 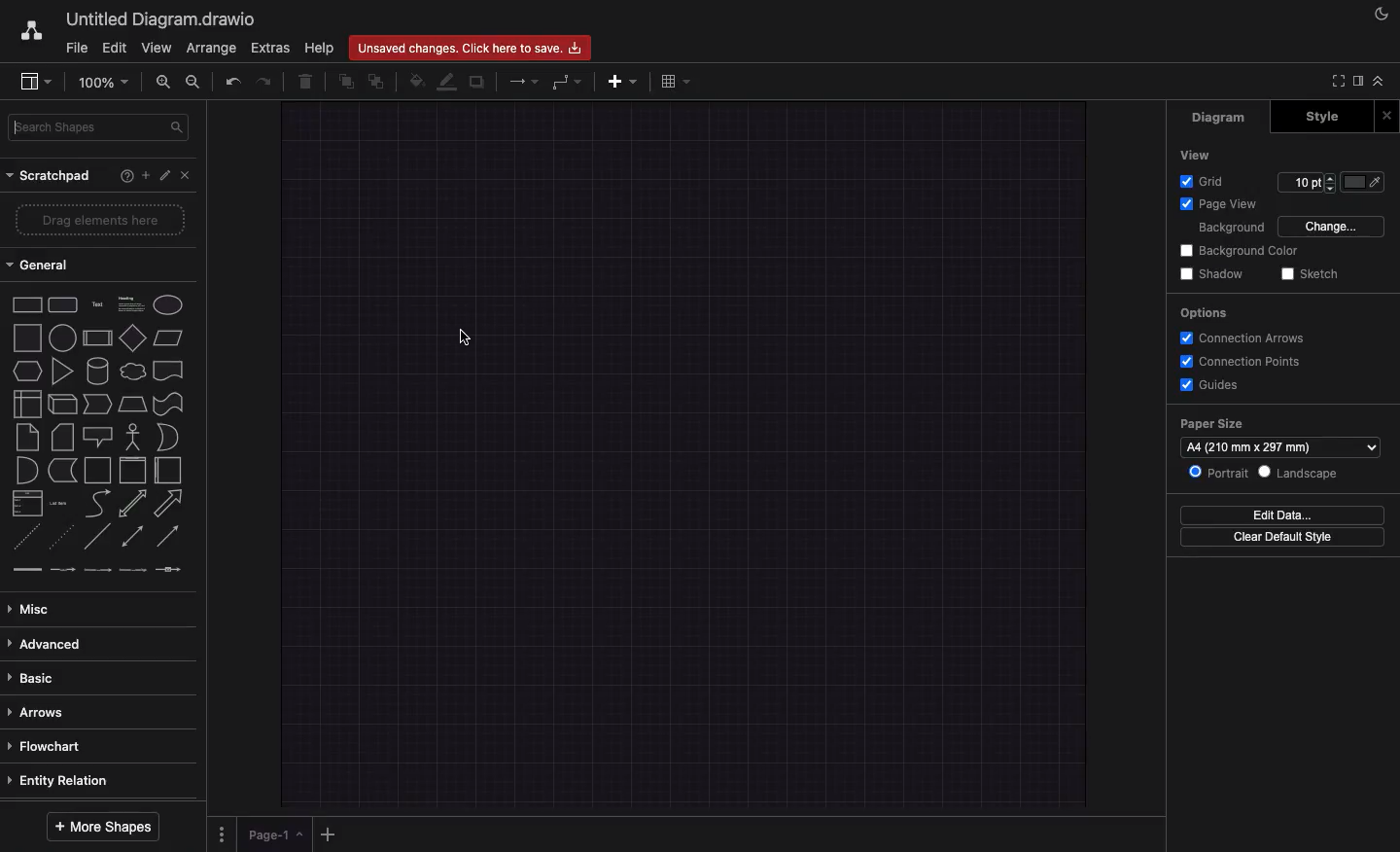 What do you see at coordinates (1243, 362) in the screenshot?
I see `Connection points` at bounding box center [1243, 362].